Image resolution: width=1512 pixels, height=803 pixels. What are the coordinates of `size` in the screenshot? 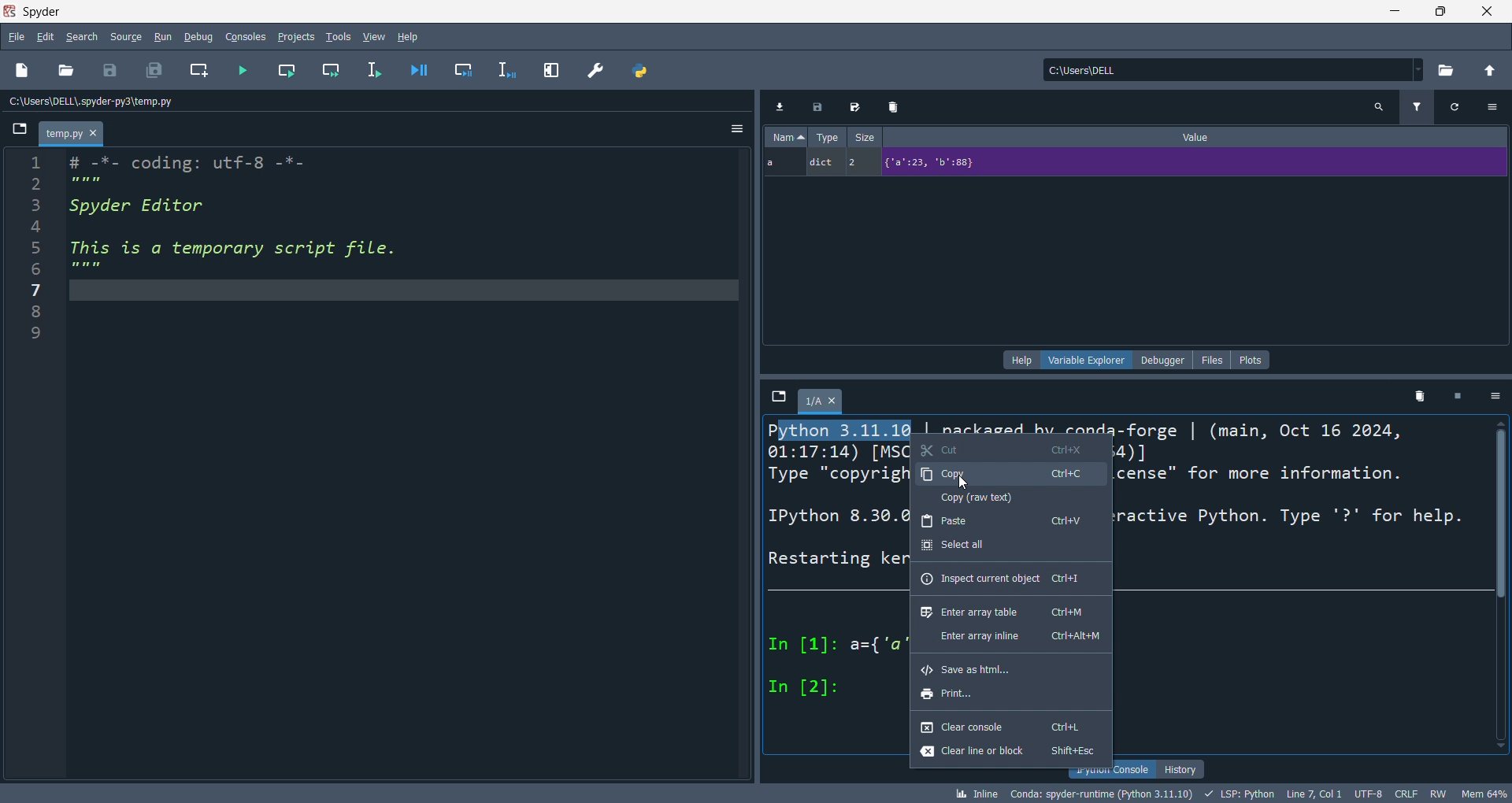 It's located at (864, 135).